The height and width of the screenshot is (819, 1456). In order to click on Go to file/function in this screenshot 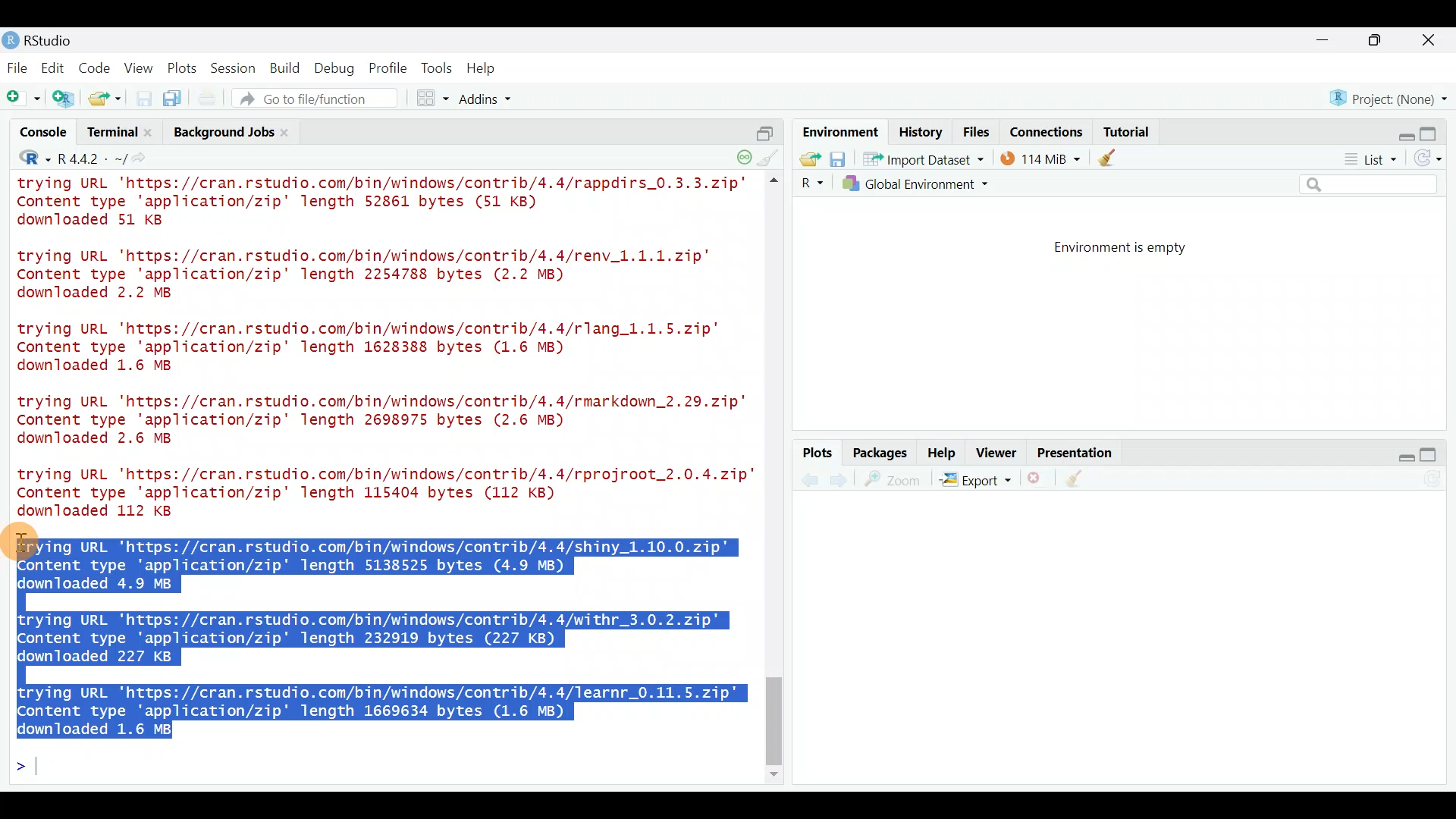, I will do `click(322, 99)`.